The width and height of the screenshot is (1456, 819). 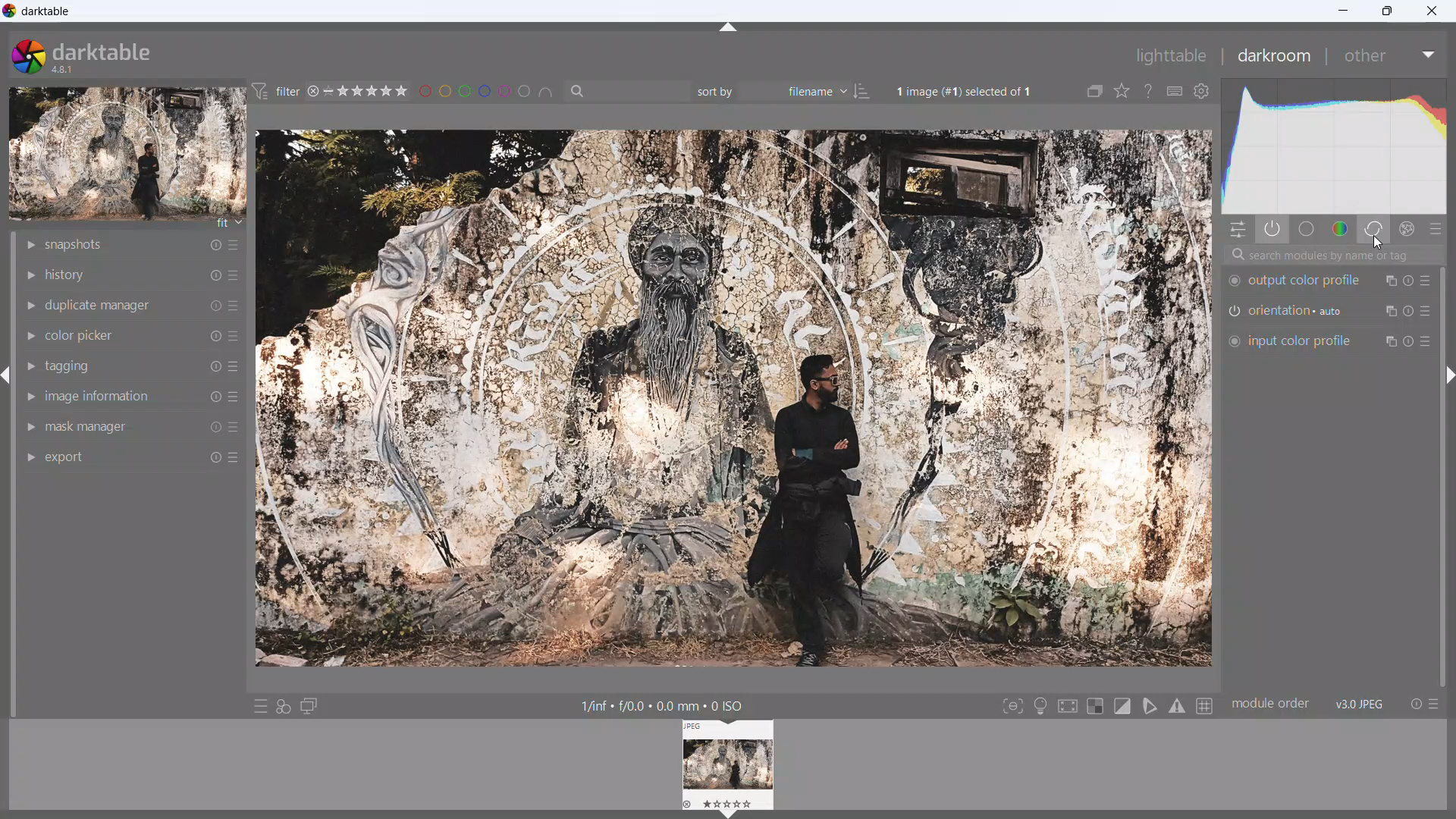 I want to click on more options, so click(x=235, y=428).